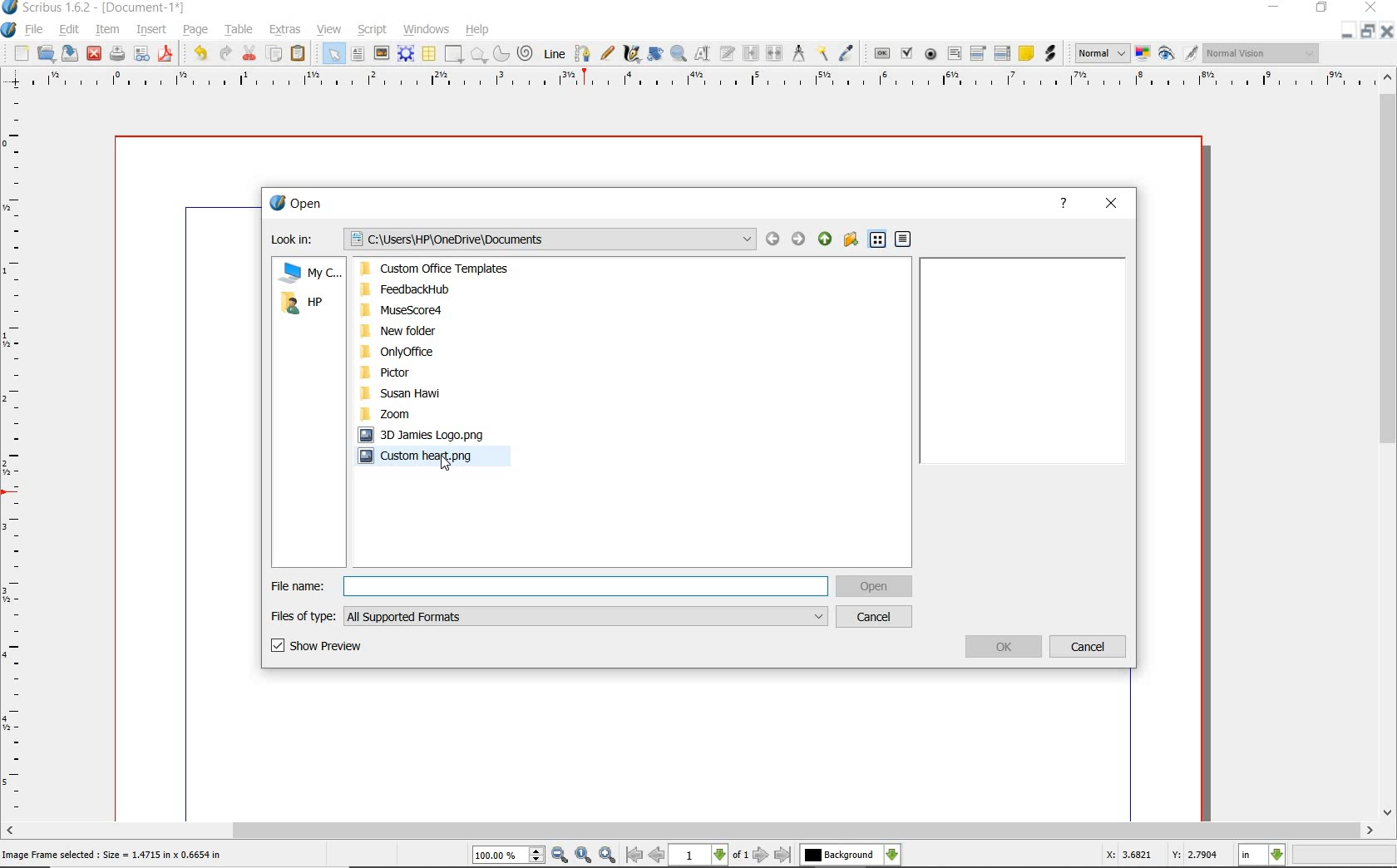 The height and width of the screenshot is (868, 1397). What do you see at coordinates (822, 54) in the screenshot?
I see `copy item properties` at bounding box center [822, 54].